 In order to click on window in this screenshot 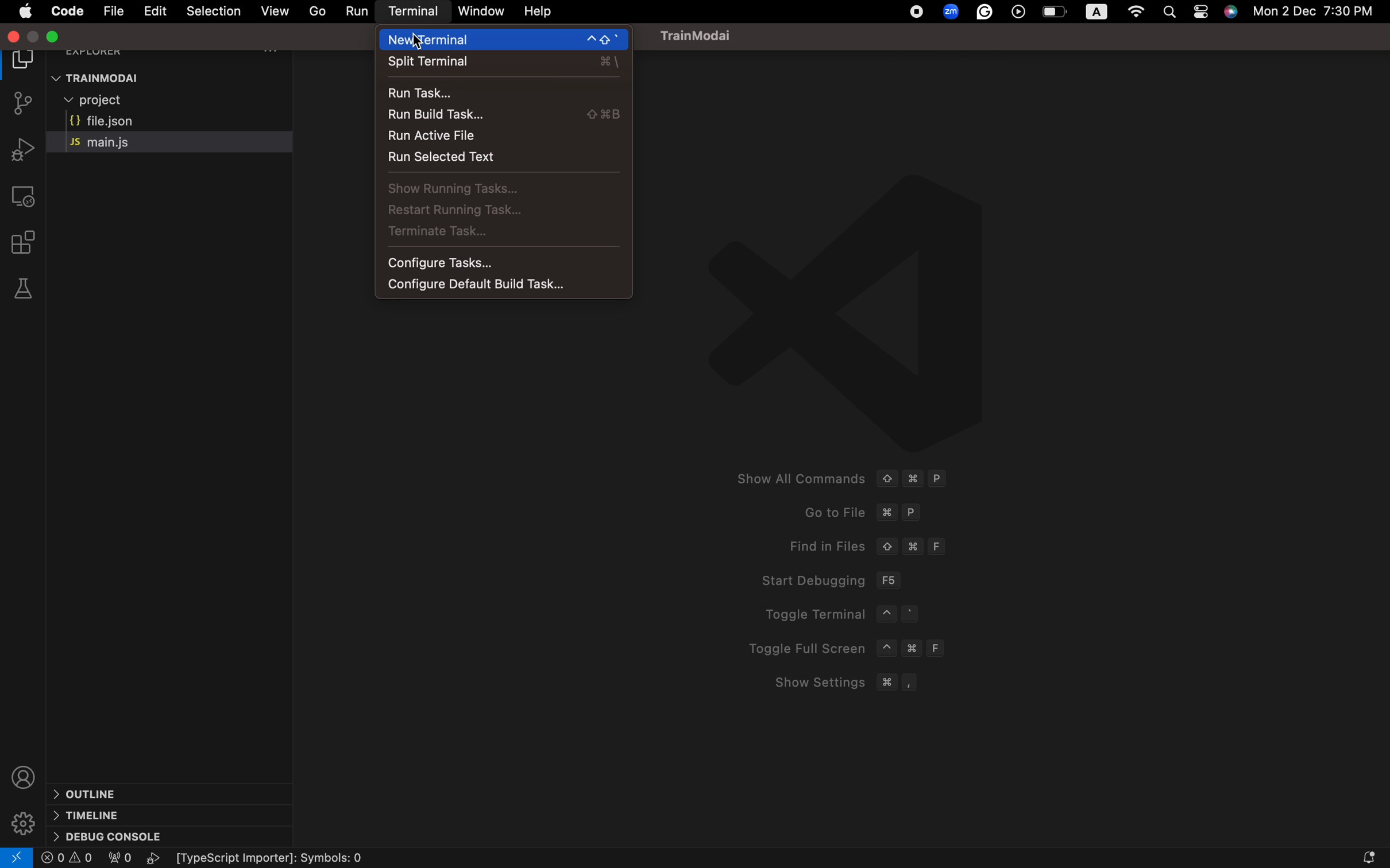, I will do `click(480, 10)`.